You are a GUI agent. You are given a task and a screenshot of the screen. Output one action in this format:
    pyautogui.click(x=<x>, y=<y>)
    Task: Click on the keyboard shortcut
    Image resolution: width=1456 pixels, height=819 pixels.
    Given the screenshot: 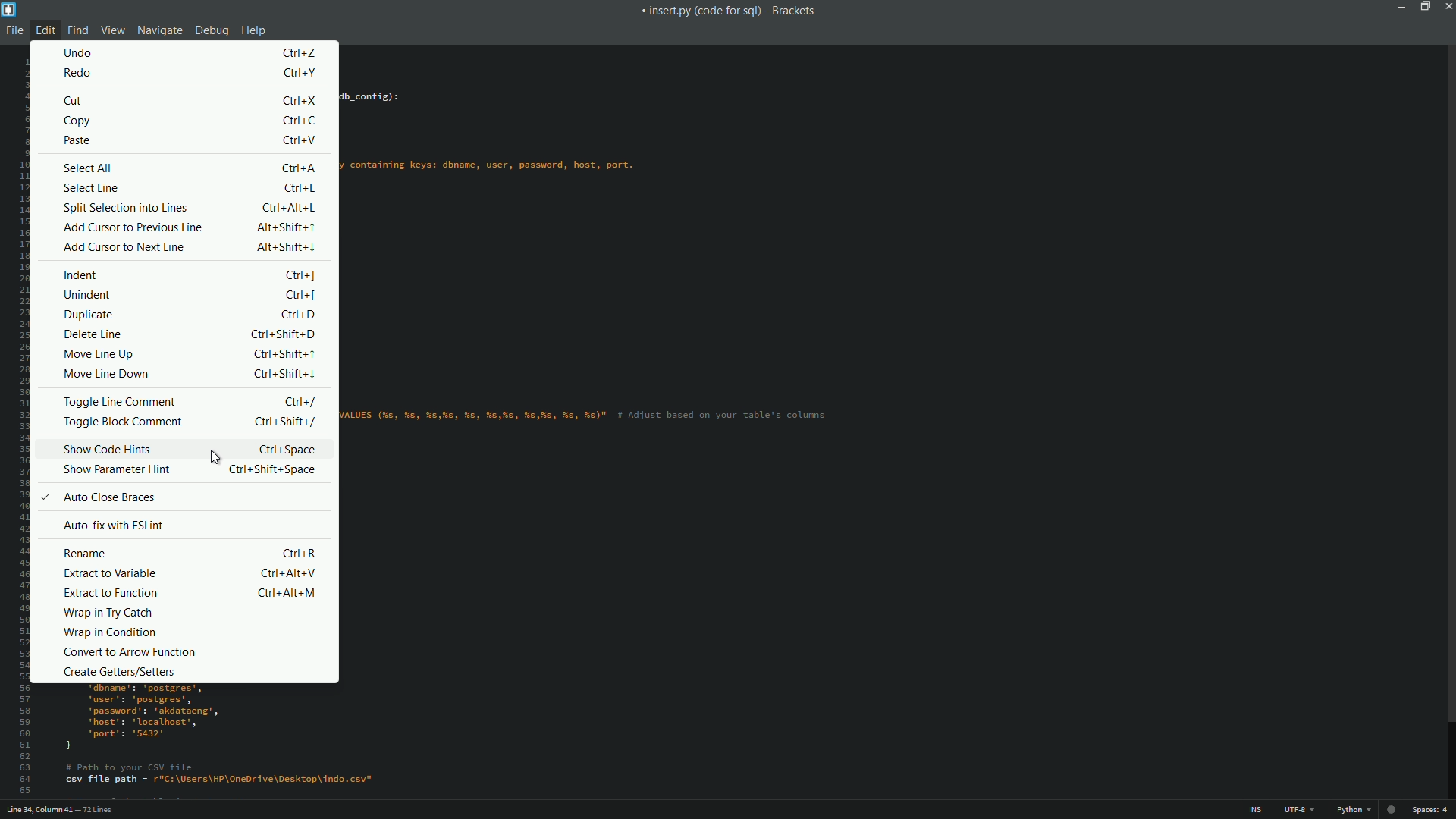 What is the action you would take?
    pyautogui.click(x=283, y=334)
    